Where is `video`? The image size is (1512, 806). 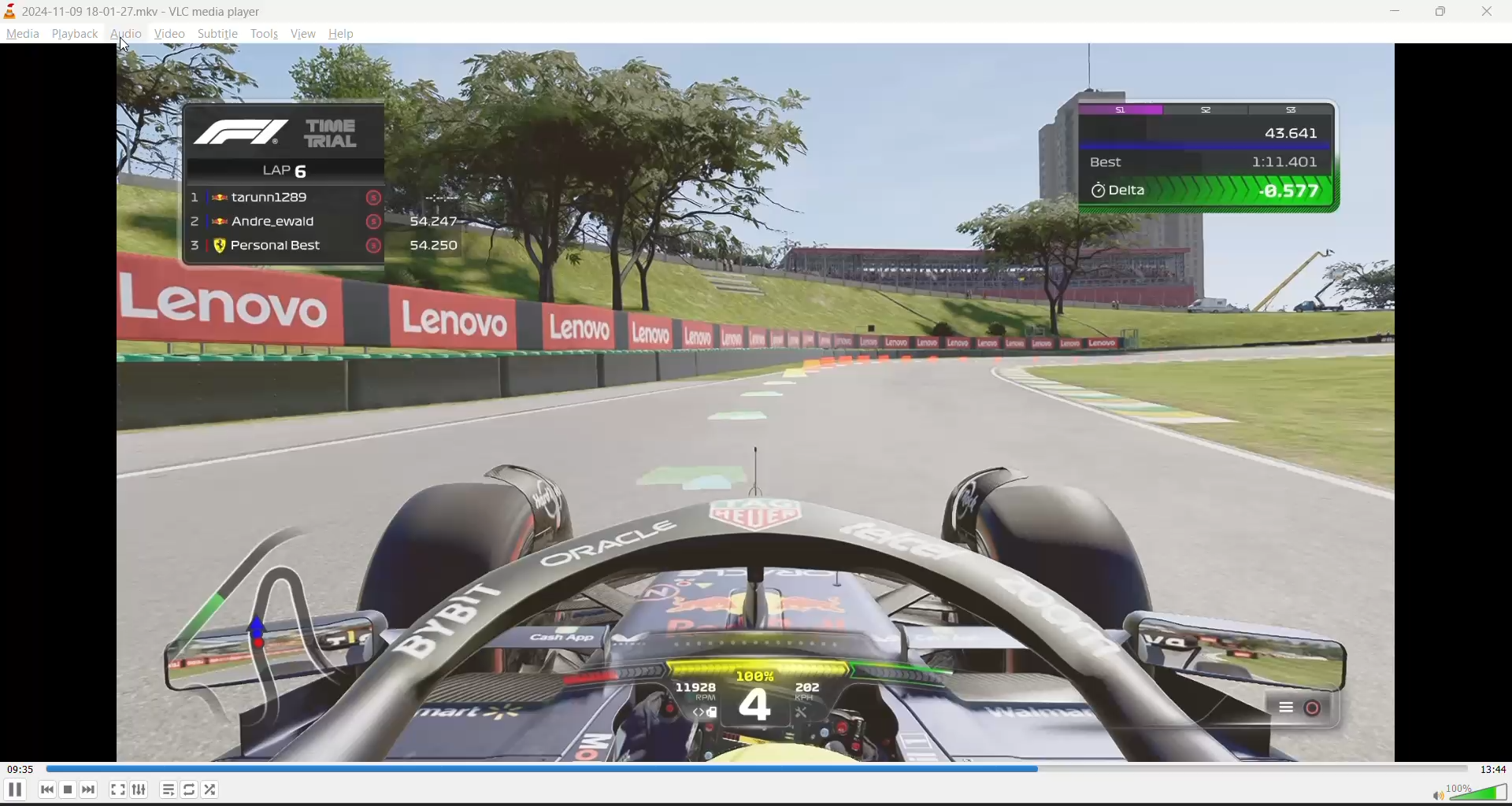
video is located at coordinates (169, 35).